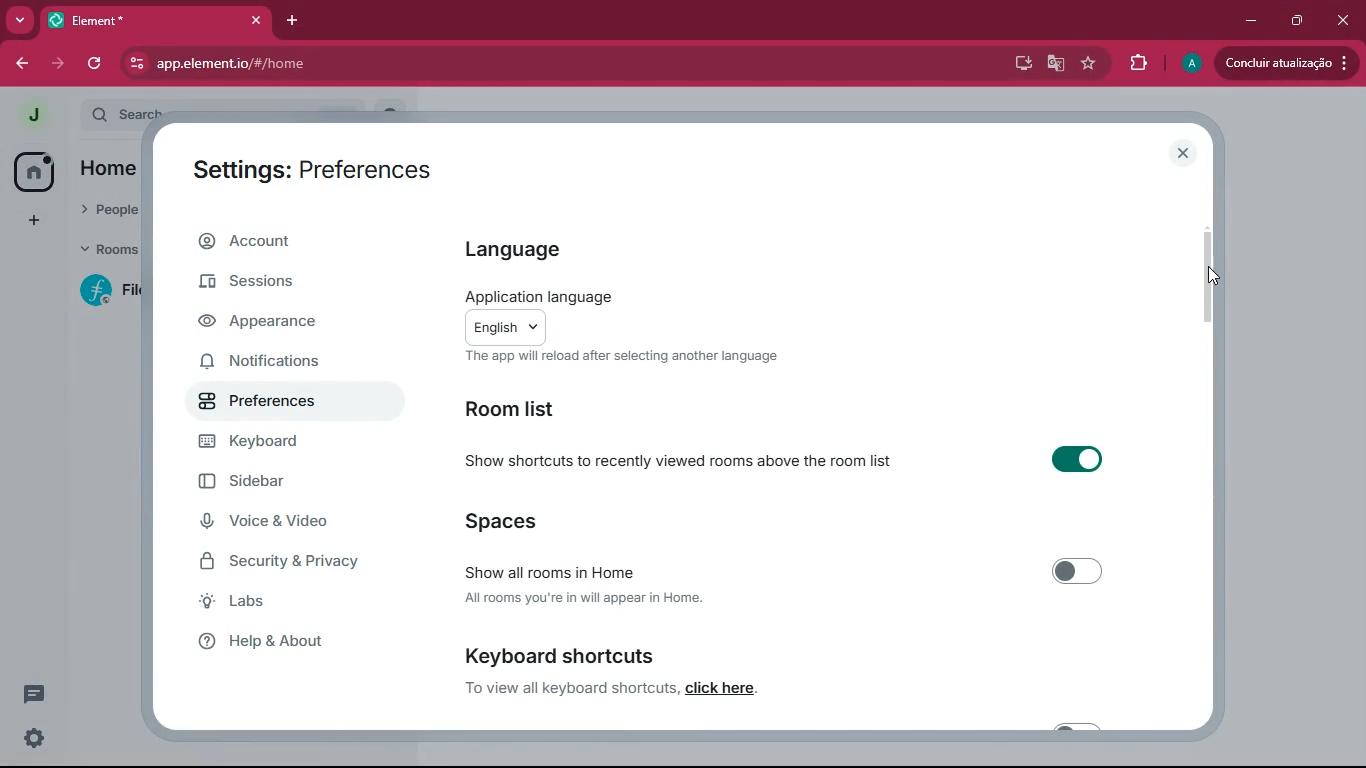 The image size is (1366, 768). Describe the element at coordinates (97, 64) in the screenshot. I see `refresh` at that location.